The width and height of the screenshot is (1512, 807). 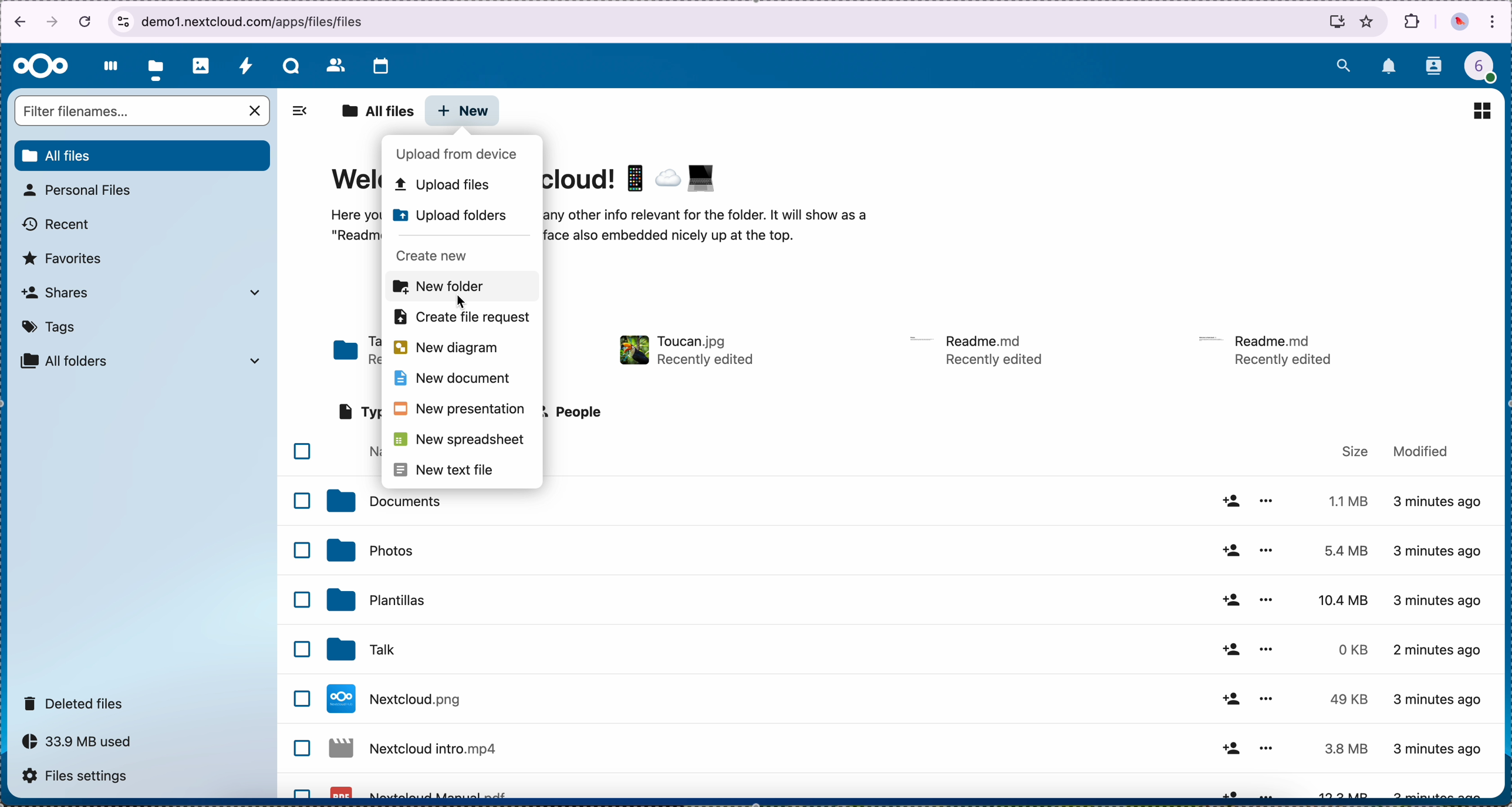 What do you see at coordinates (53, 23) in the screenshot?
I see `navigate foward` at bounding box center [53, 23].